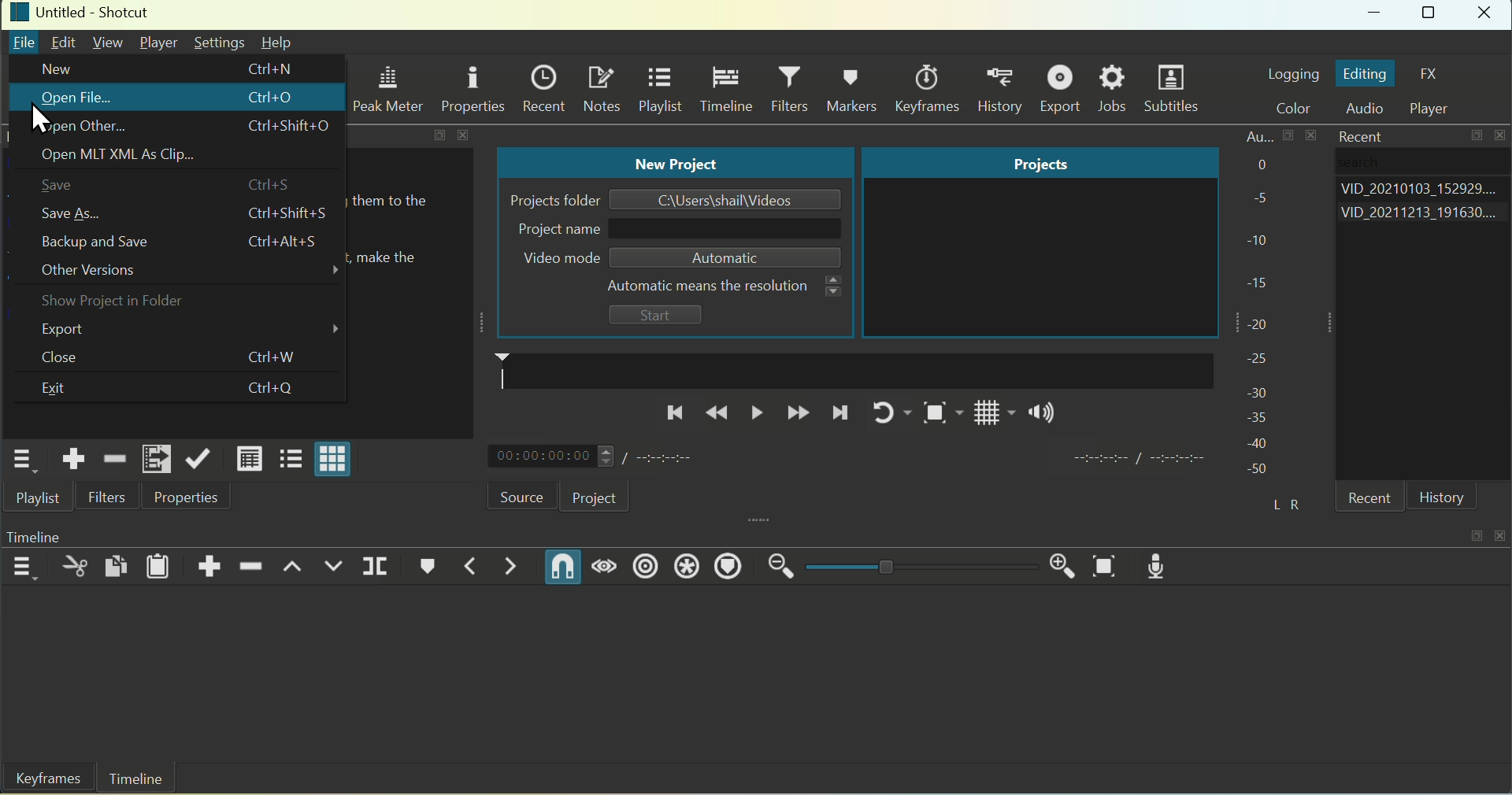 The width and height of the screenshot is (1512, 795). Describe the element at coordinates (272, 358) in the screenshot. I see `Ctrl_W` at that location.